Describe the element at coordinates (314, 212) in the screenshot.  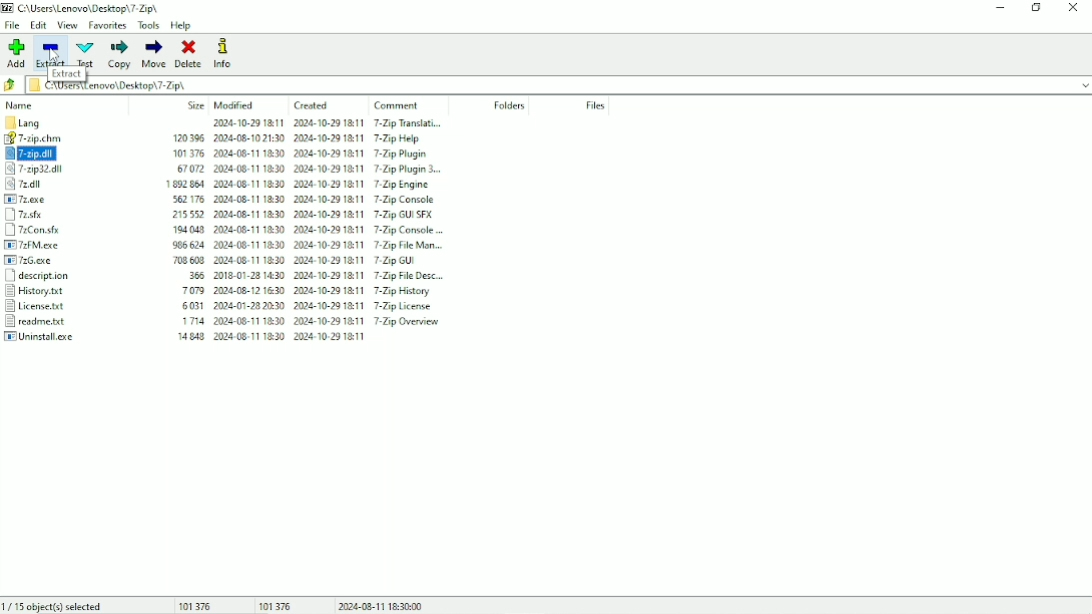
I see `S42 ERY WANE. 111830 MOLI 1211 T.Tie CAE SEY` at that location.